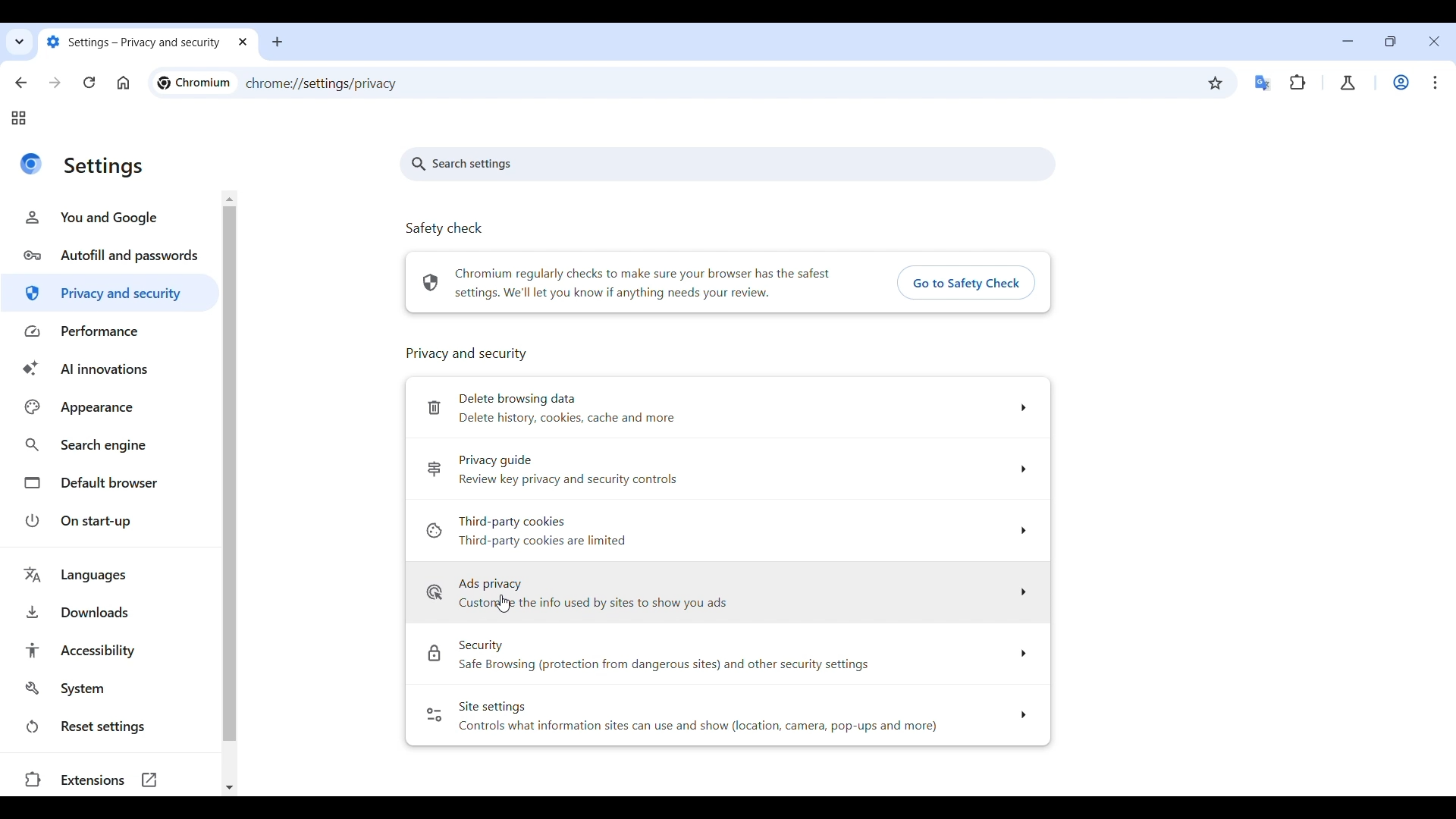 This screenshot has height=819, width=1456. Describe the element at coordinates (1348, 41) in the screenshot. I see `Minimize` at that location.